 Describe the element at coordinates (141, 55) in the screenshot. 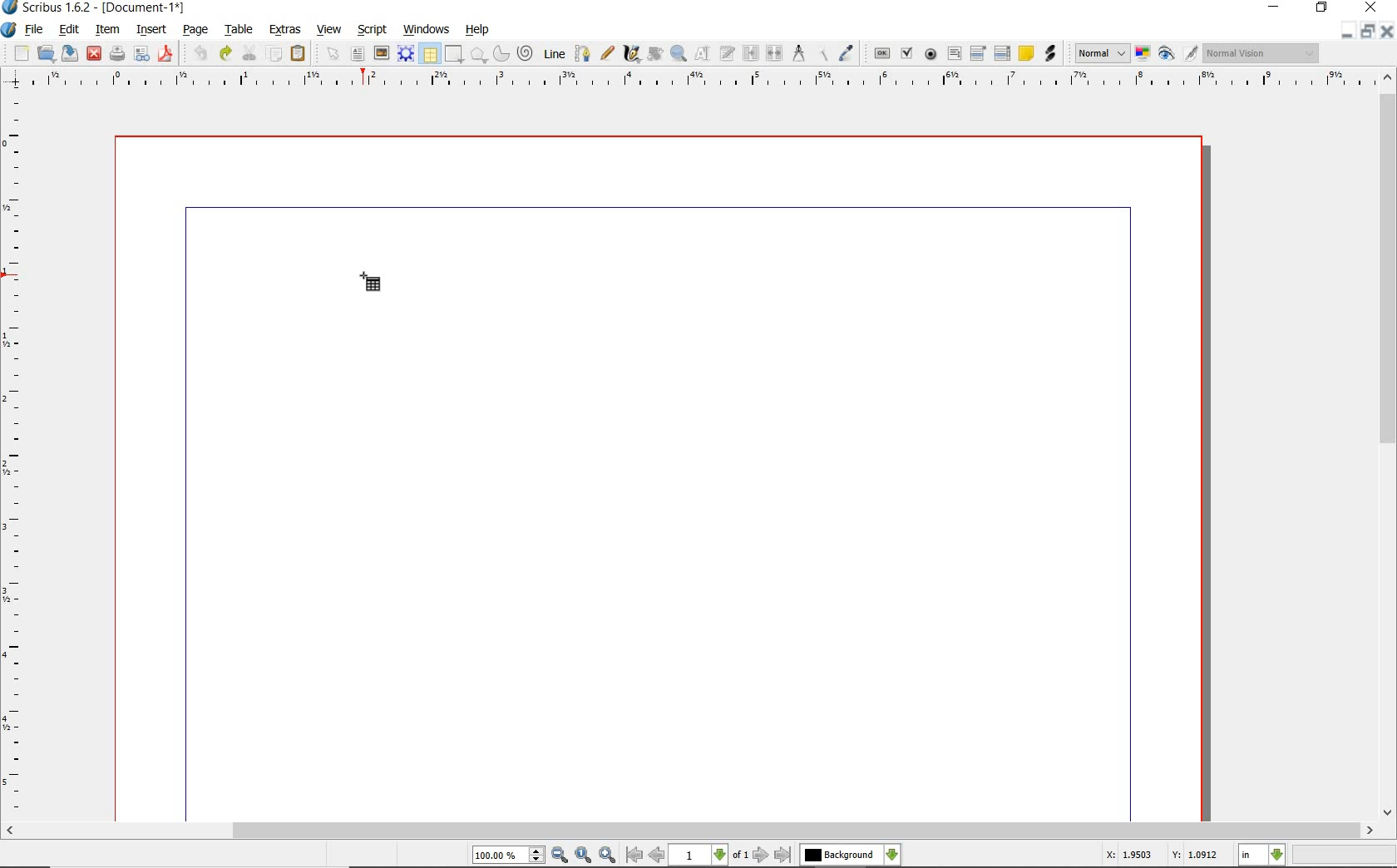

I see `preflight verifier` at that location.